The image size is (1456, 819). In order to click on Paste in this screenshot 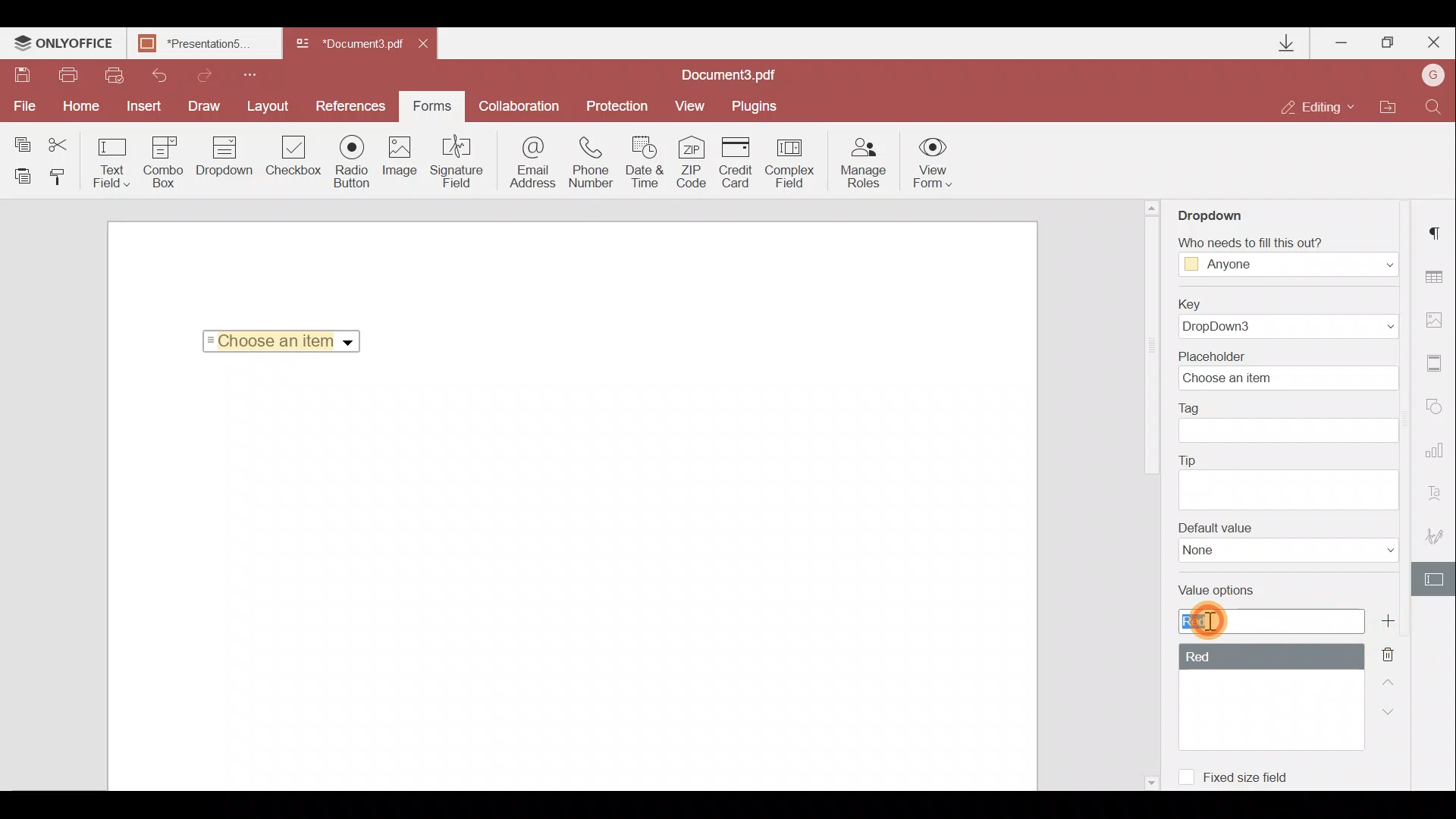, I will do `click(21, 178)`.